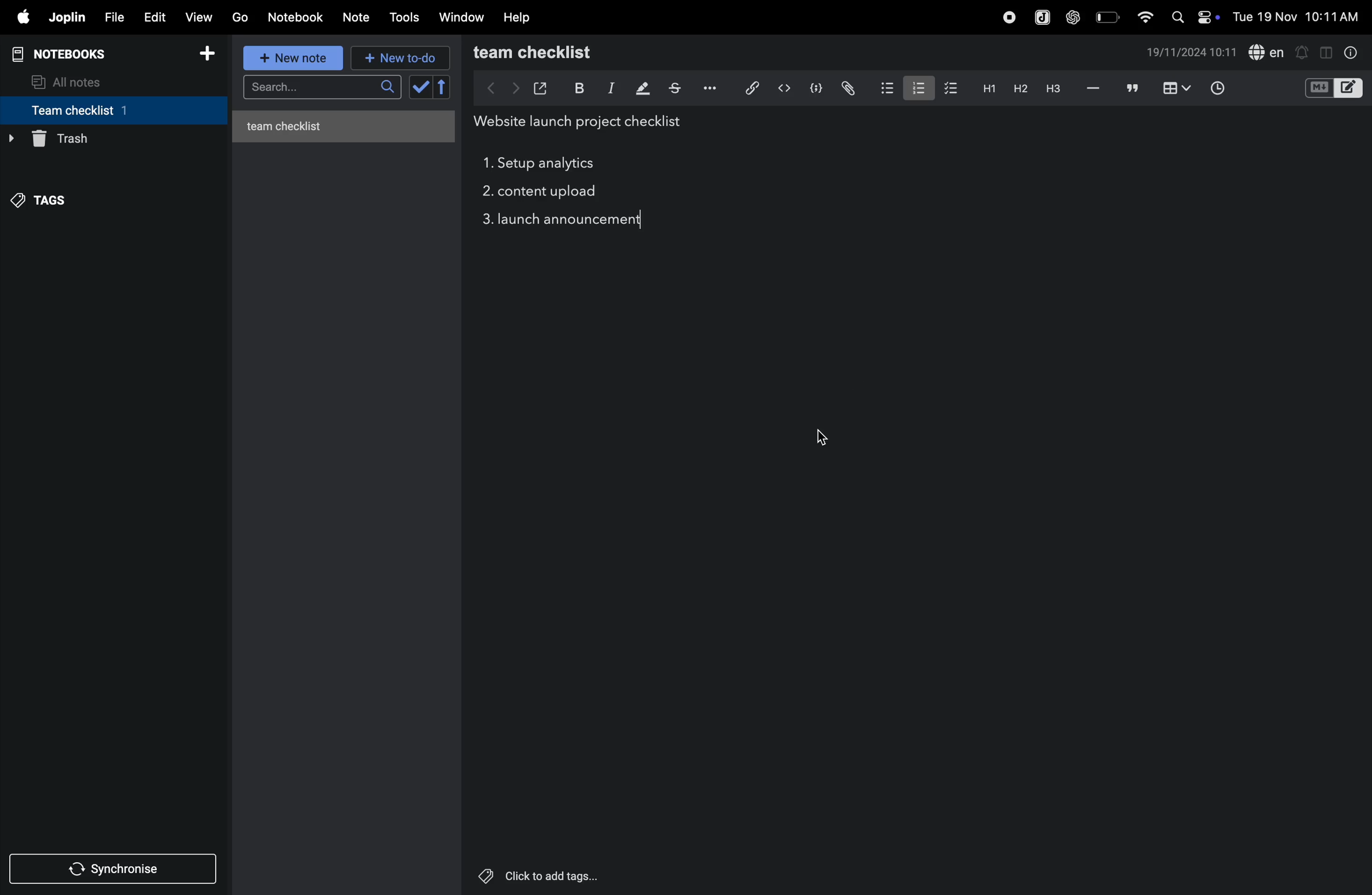  I want to click on chat gpt, so click(1071, 17).